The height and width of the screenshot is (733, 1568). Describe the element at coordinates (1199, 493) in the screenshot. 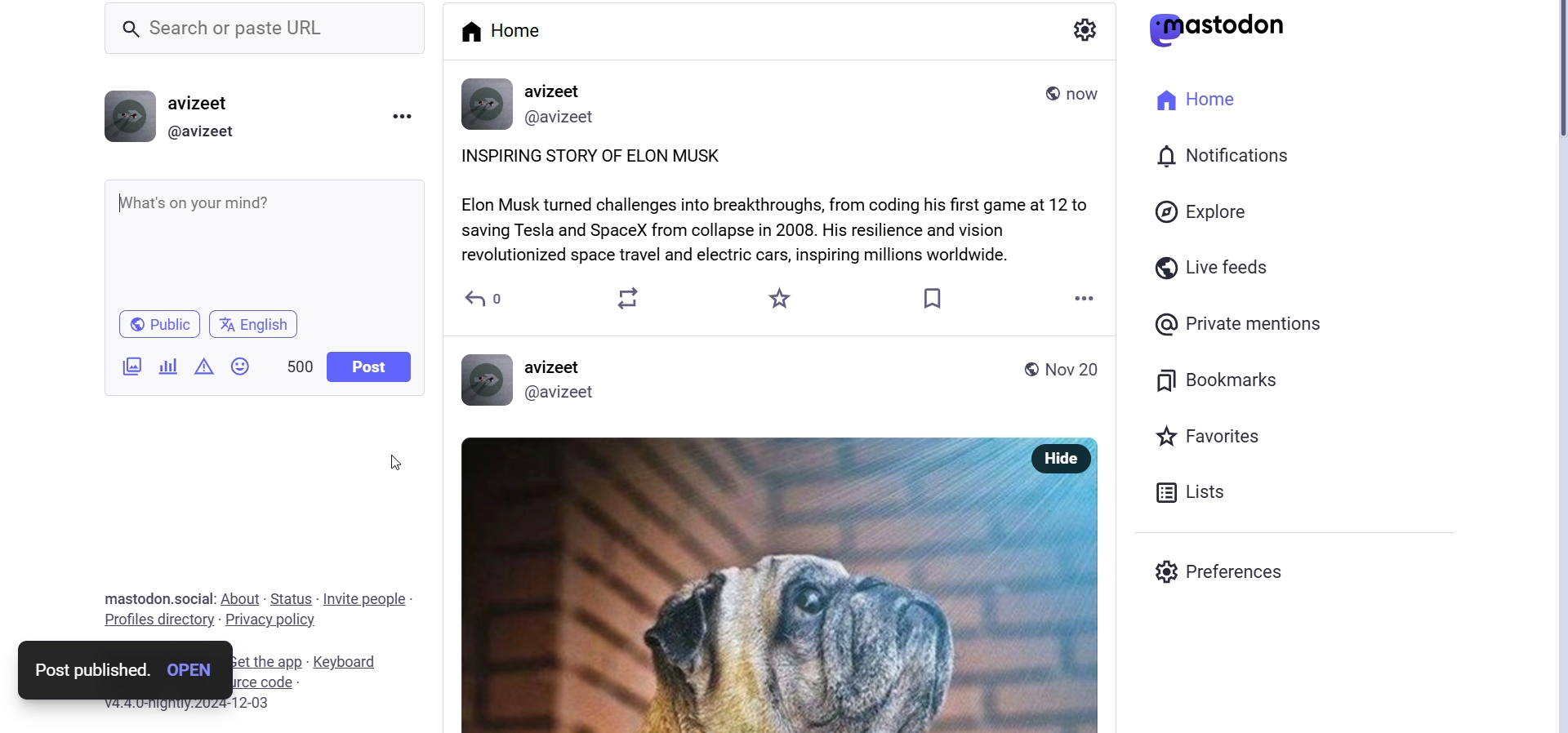

I see `Lists` at that location.